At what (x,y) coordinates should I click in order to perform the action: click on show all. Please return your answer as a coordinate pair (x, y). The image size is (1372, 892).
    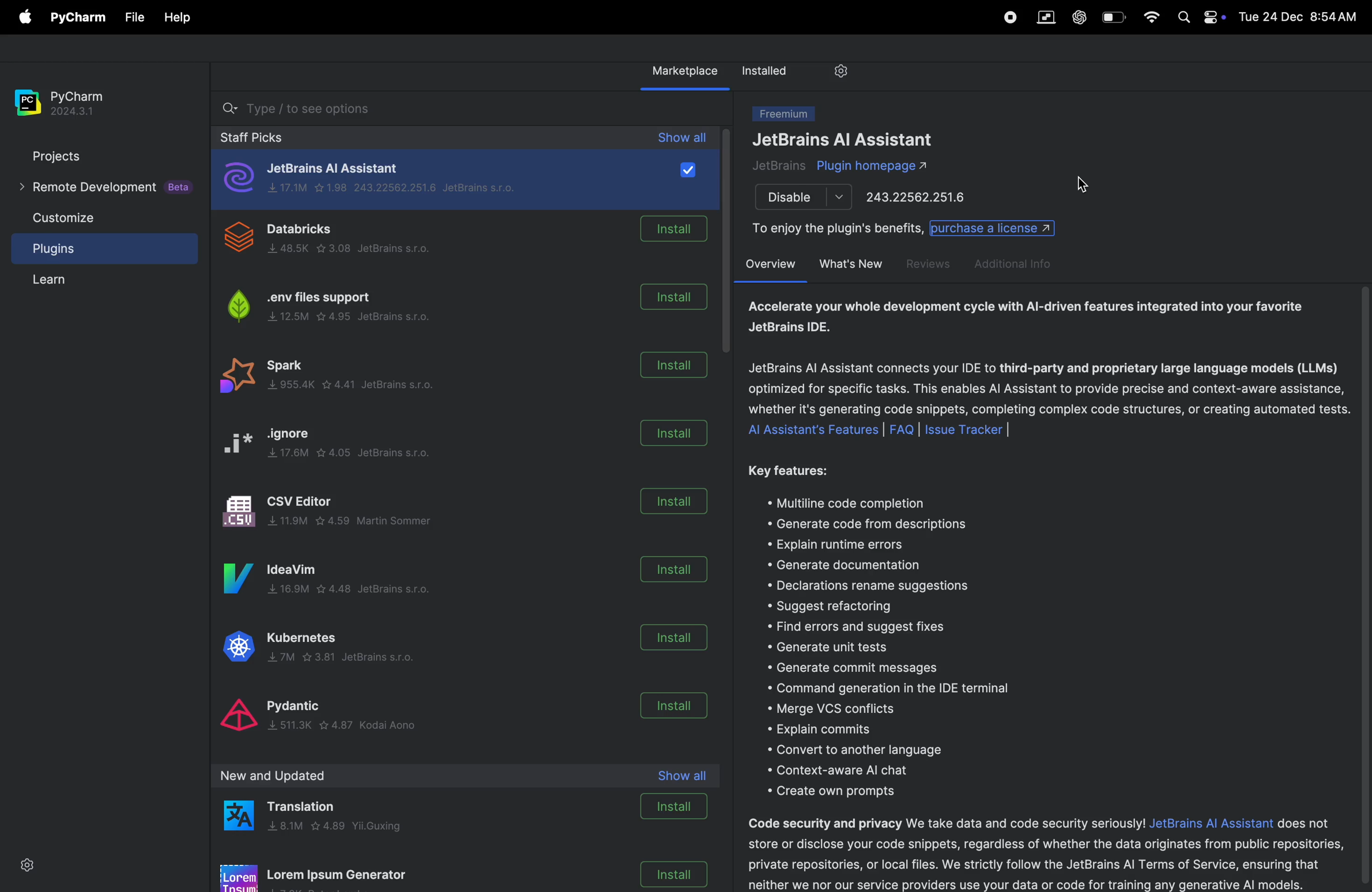
    Looking at the image, I should click on (682, 138).